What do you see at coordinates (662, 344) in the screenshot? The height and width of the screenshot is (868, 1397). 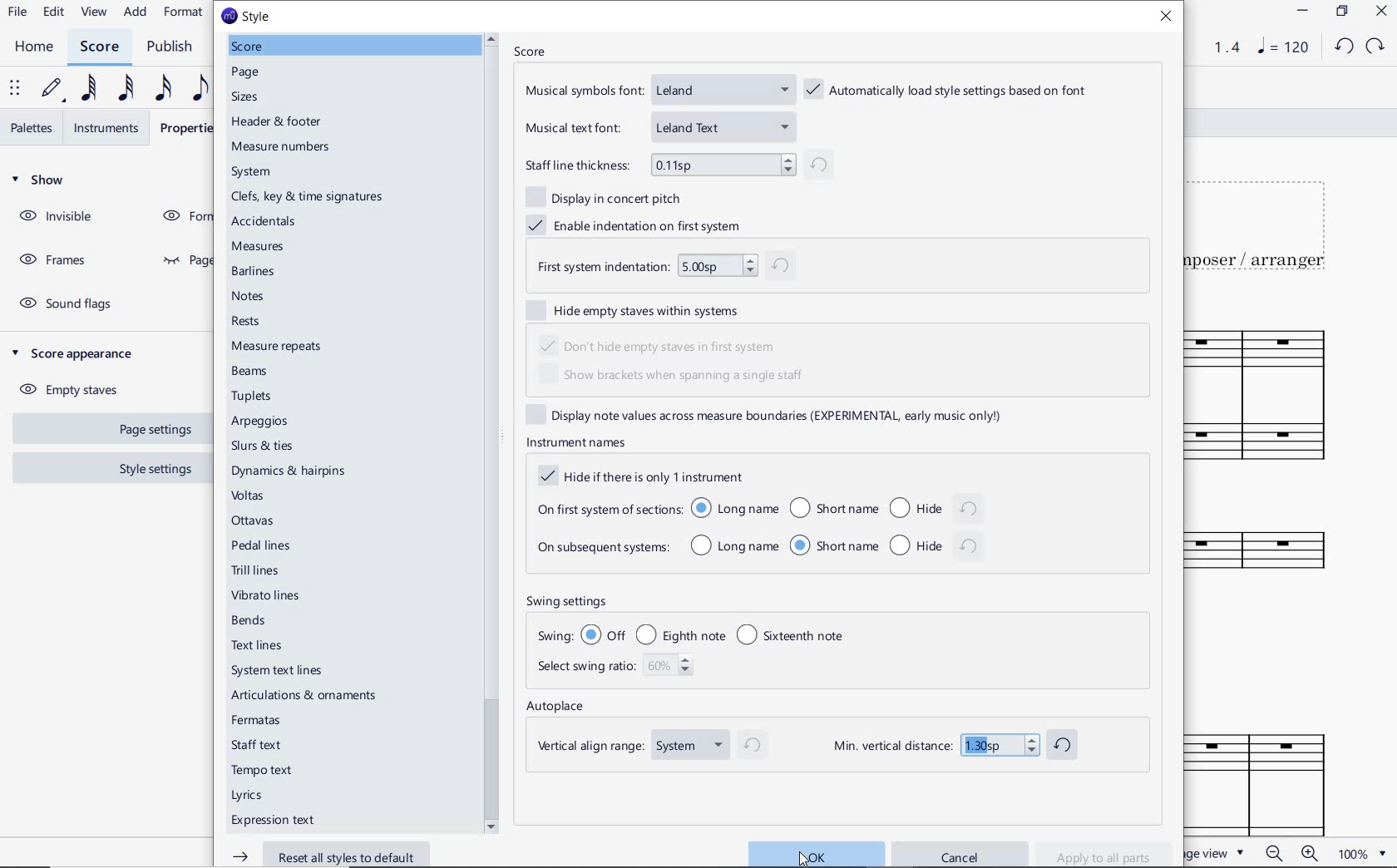 I see `DON'T HIDE EMPTY STAVES` at bounding box center [662, 344].